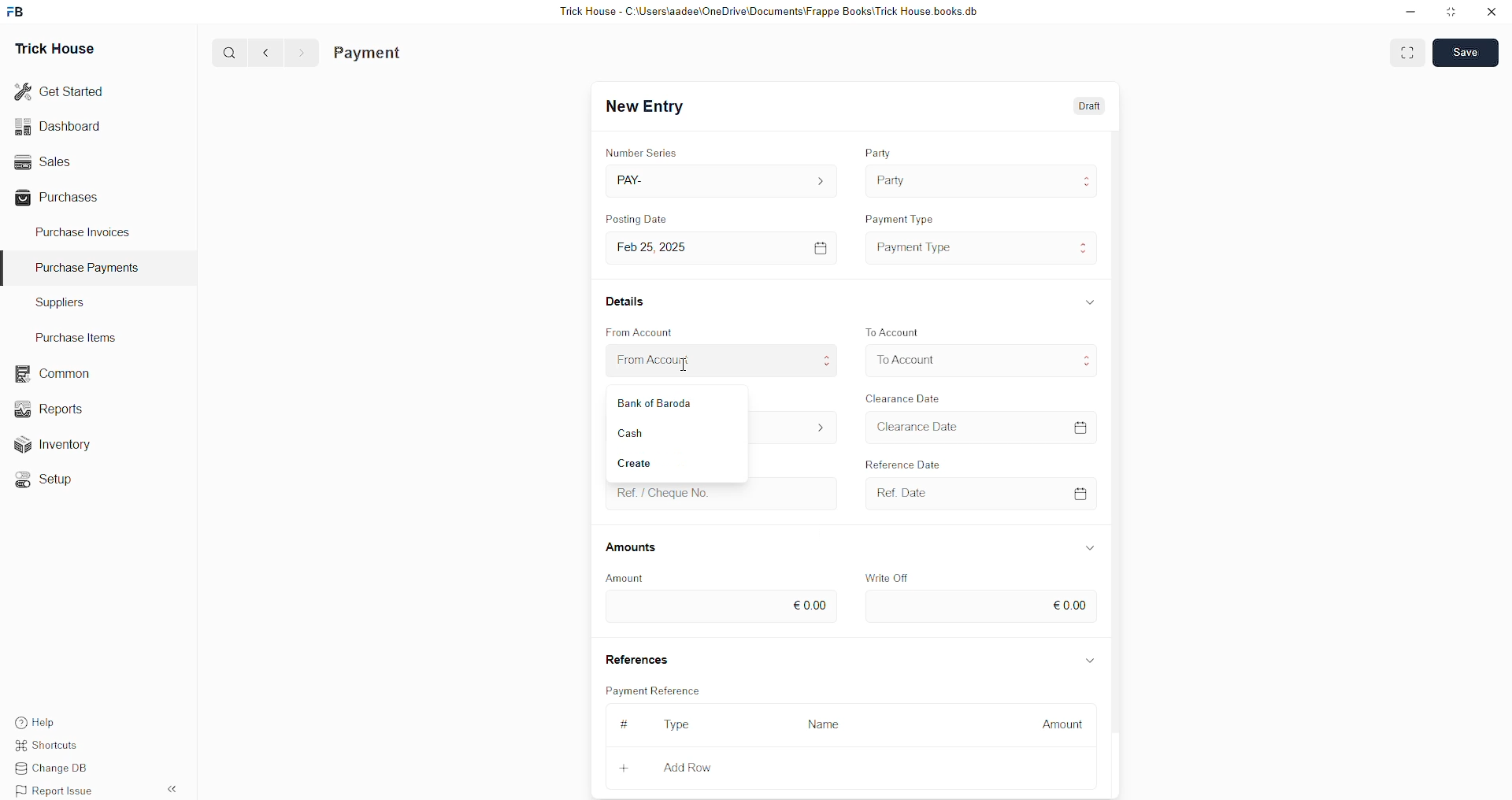  I want to click on minimise window, so click(1450, 13).